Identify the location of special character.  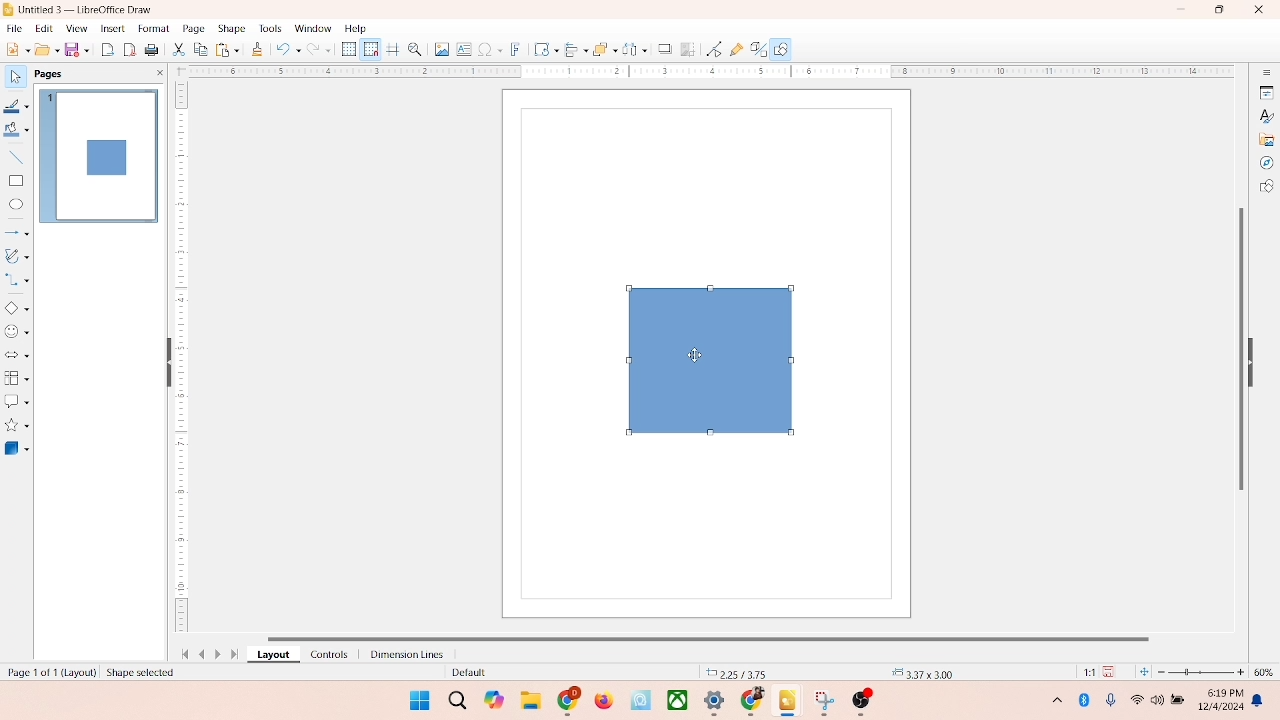
(490, 49).